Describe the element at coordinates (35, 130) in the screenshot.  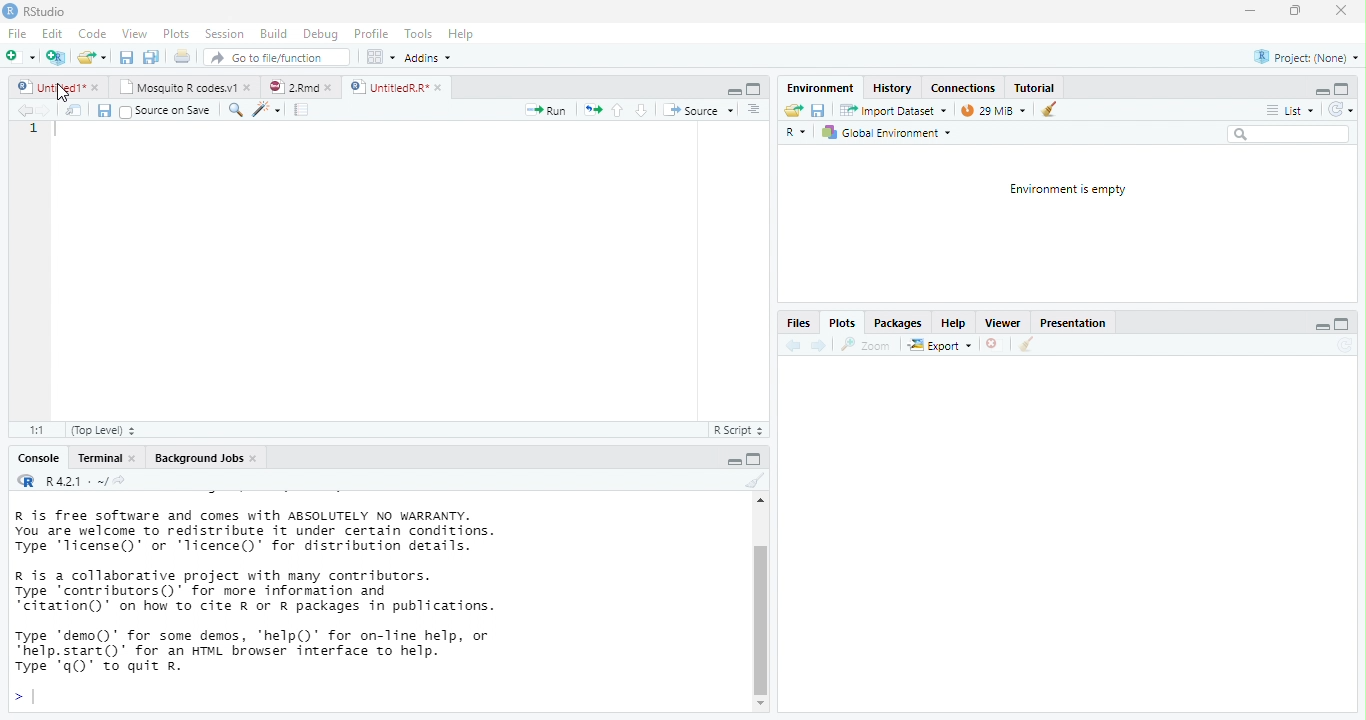
I see `1` at that location.